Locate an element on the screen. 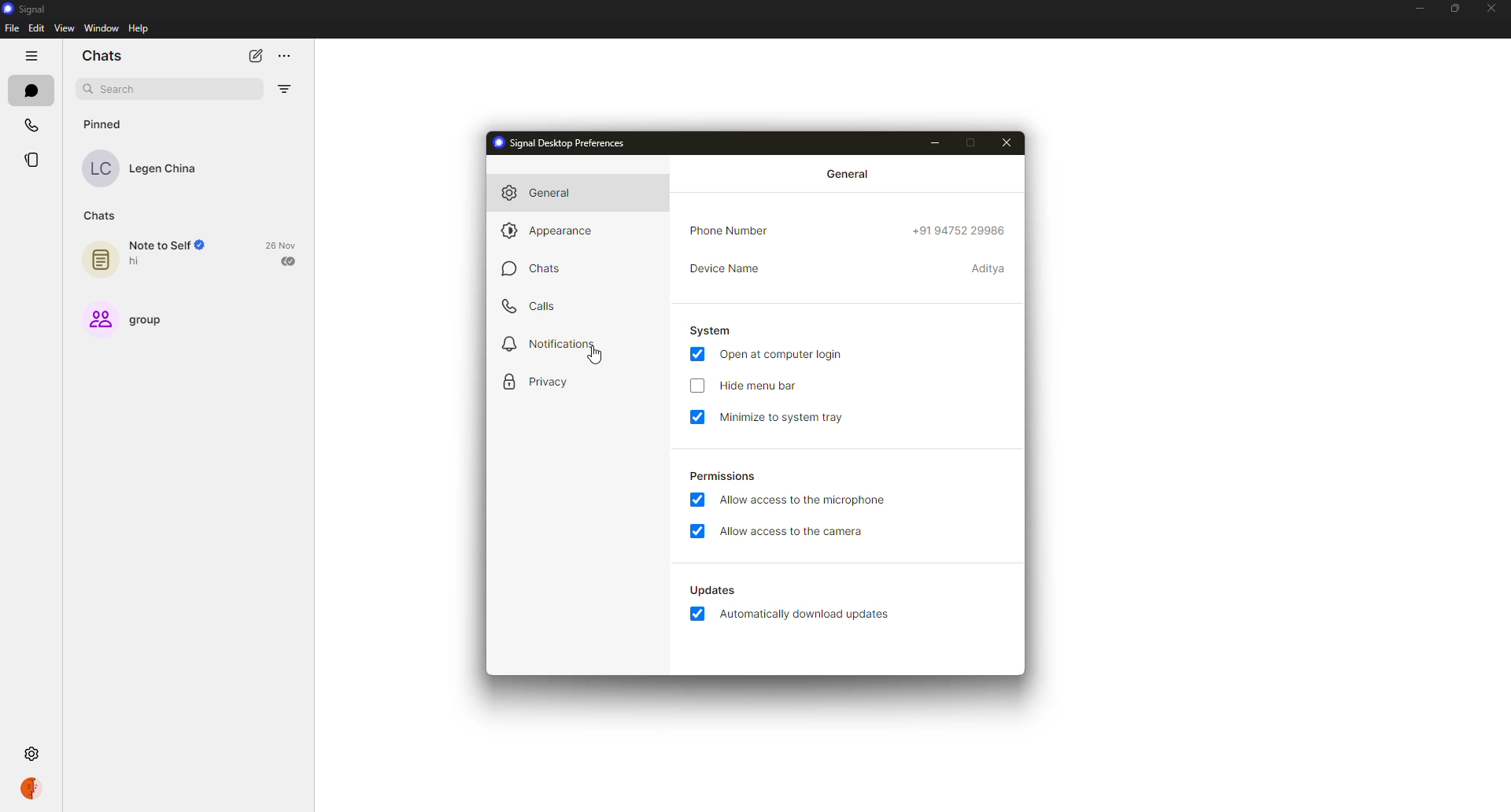 This screenshot has height=812, width=1511. cursor is located at coordinates (589, 358).